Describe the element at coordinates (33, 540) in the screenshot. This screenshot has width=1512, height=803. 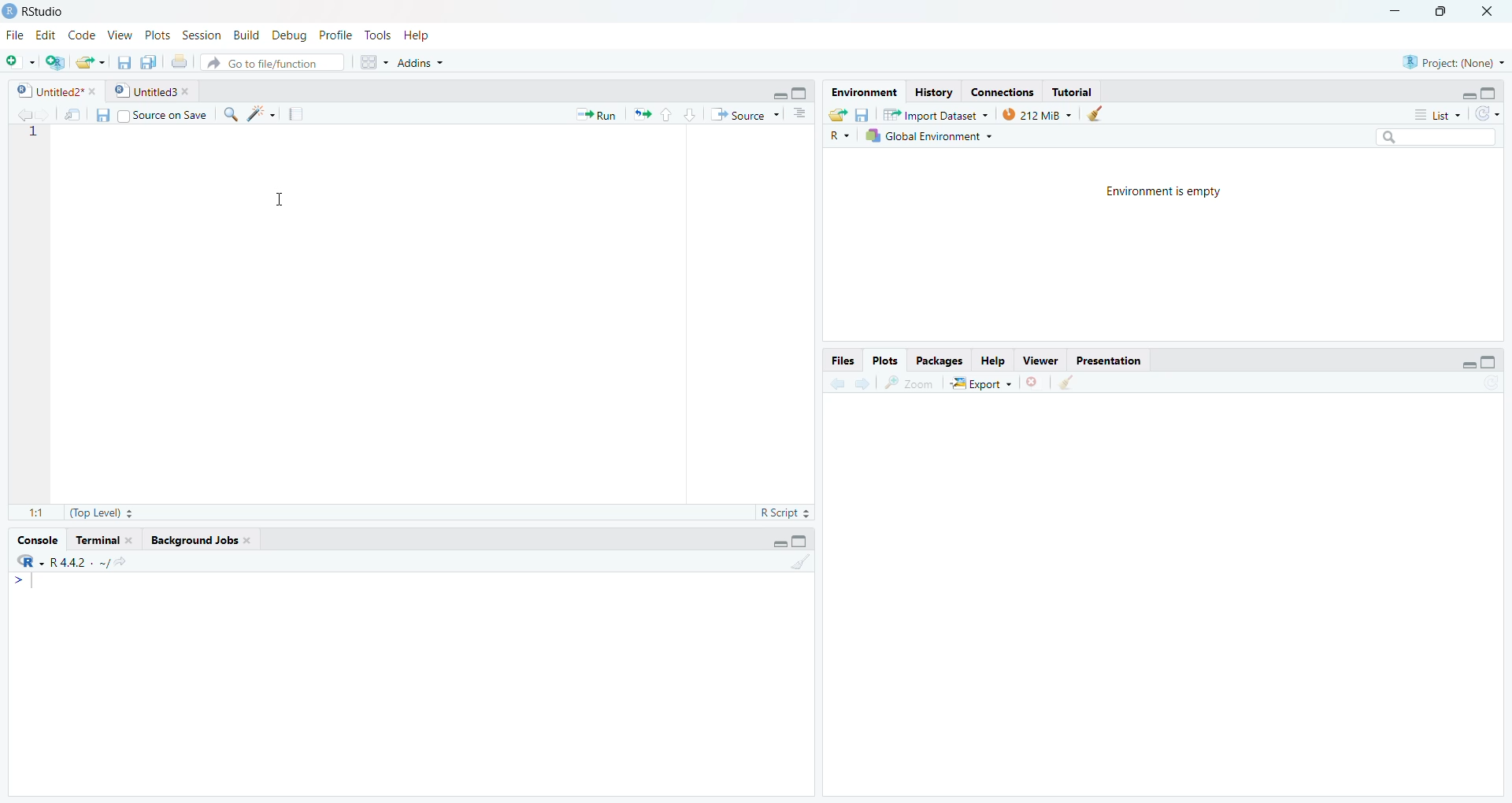
I see `console` at that location.